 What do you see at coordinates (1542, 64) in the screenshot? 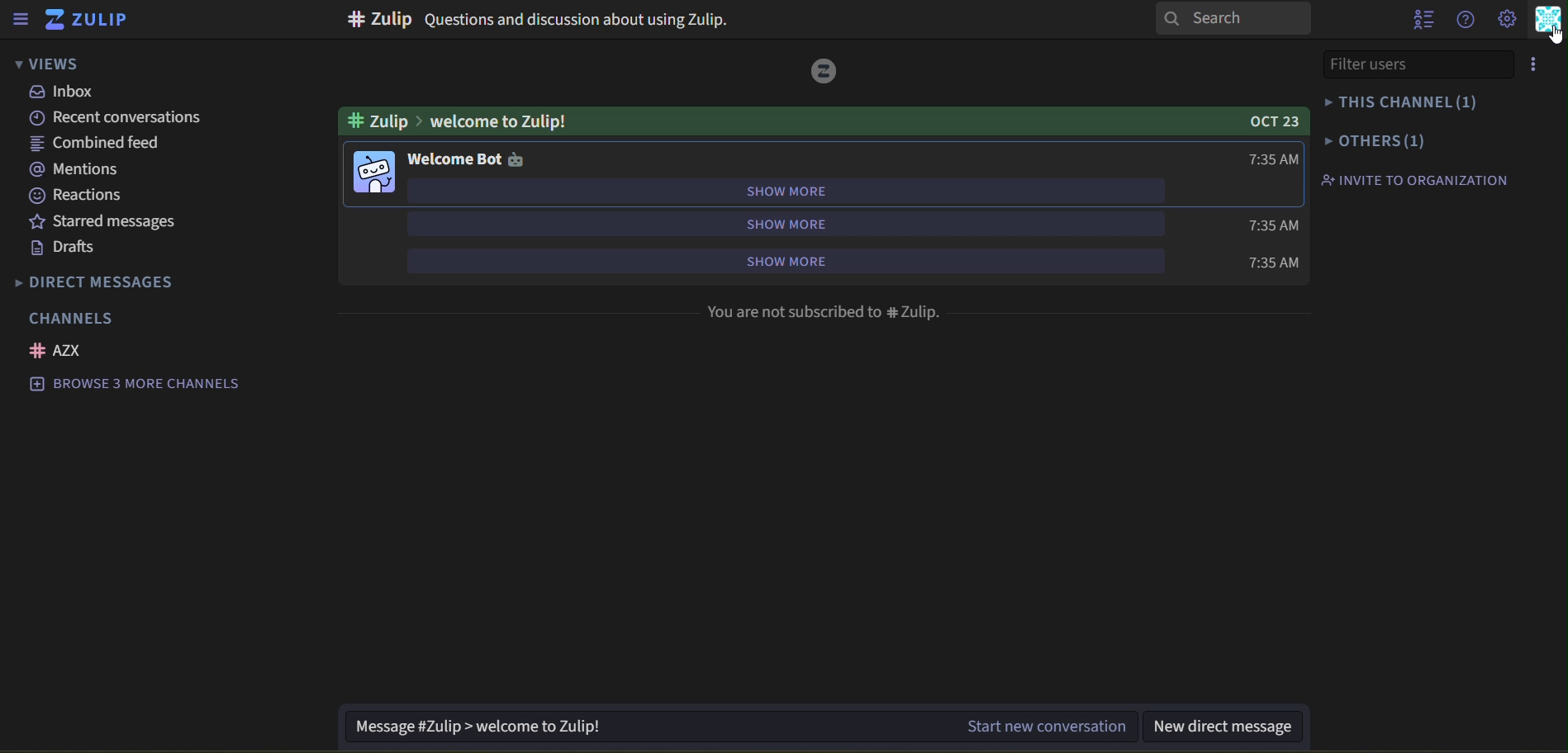
I see `menu` at bounding box center [1542, 64].